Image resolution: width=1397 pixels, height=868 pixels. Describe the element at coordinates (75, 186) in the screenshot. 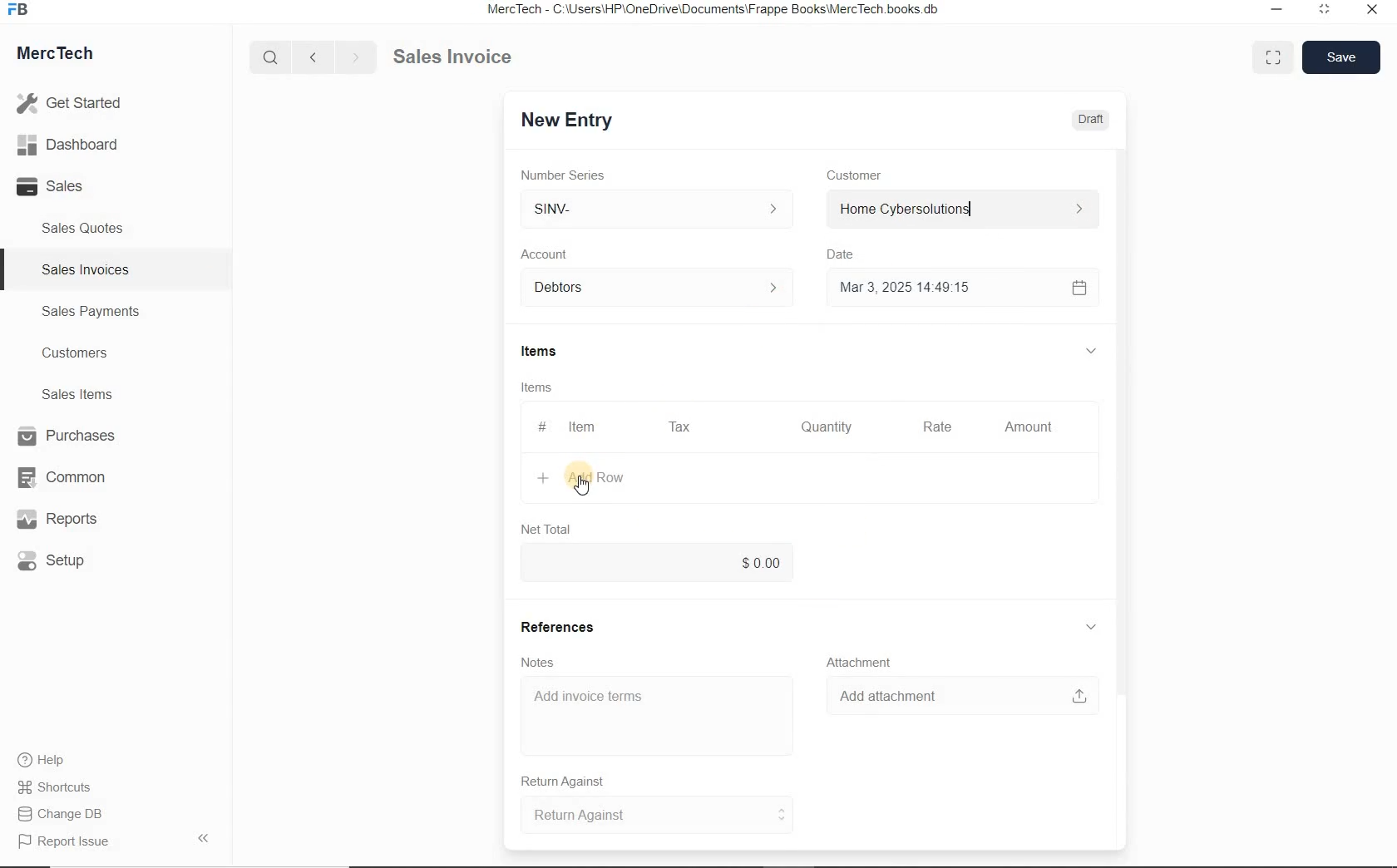

I see `Sales` at that location.